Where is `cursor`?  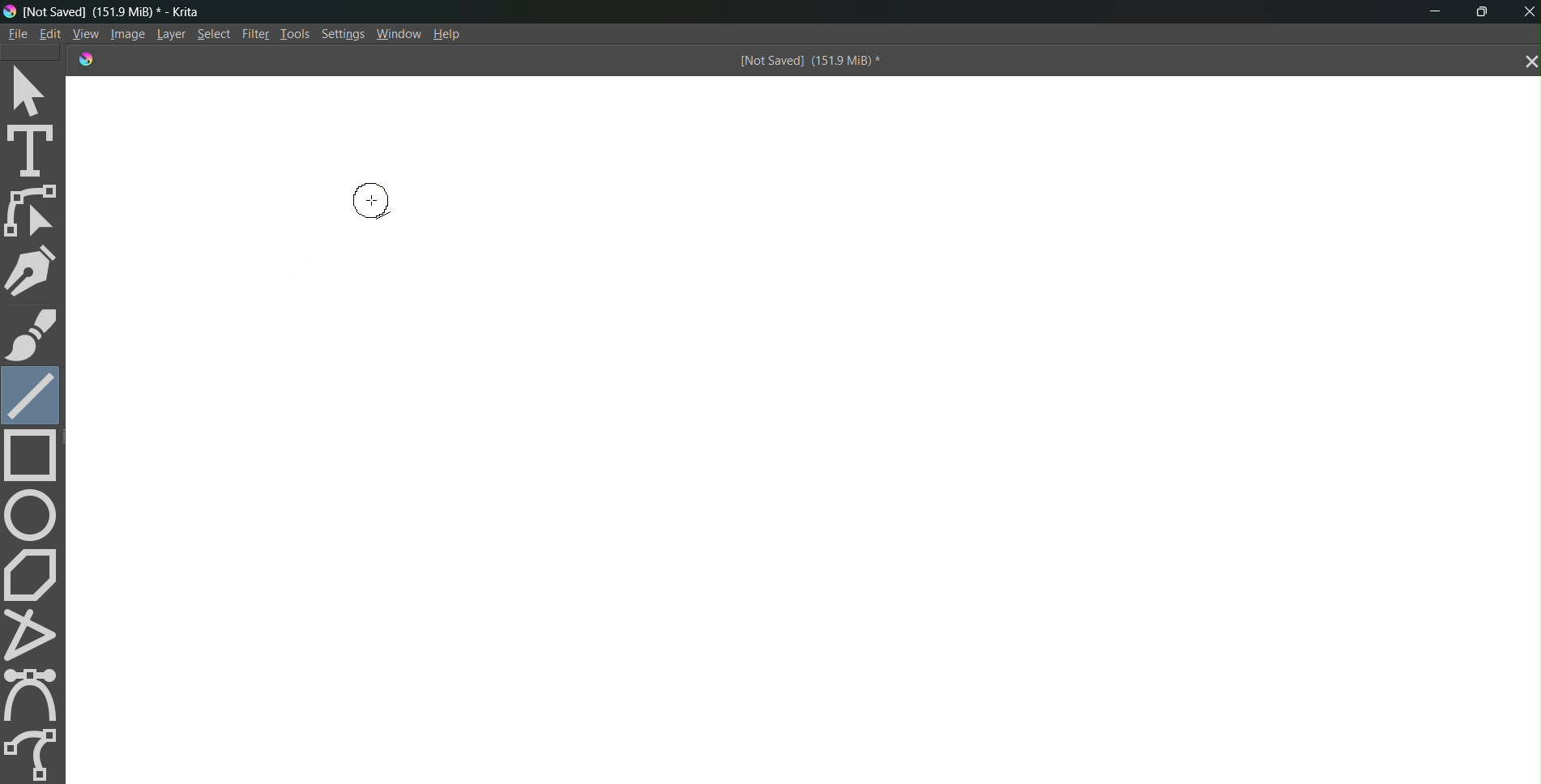
cursor is located at coordinates (371, 201).